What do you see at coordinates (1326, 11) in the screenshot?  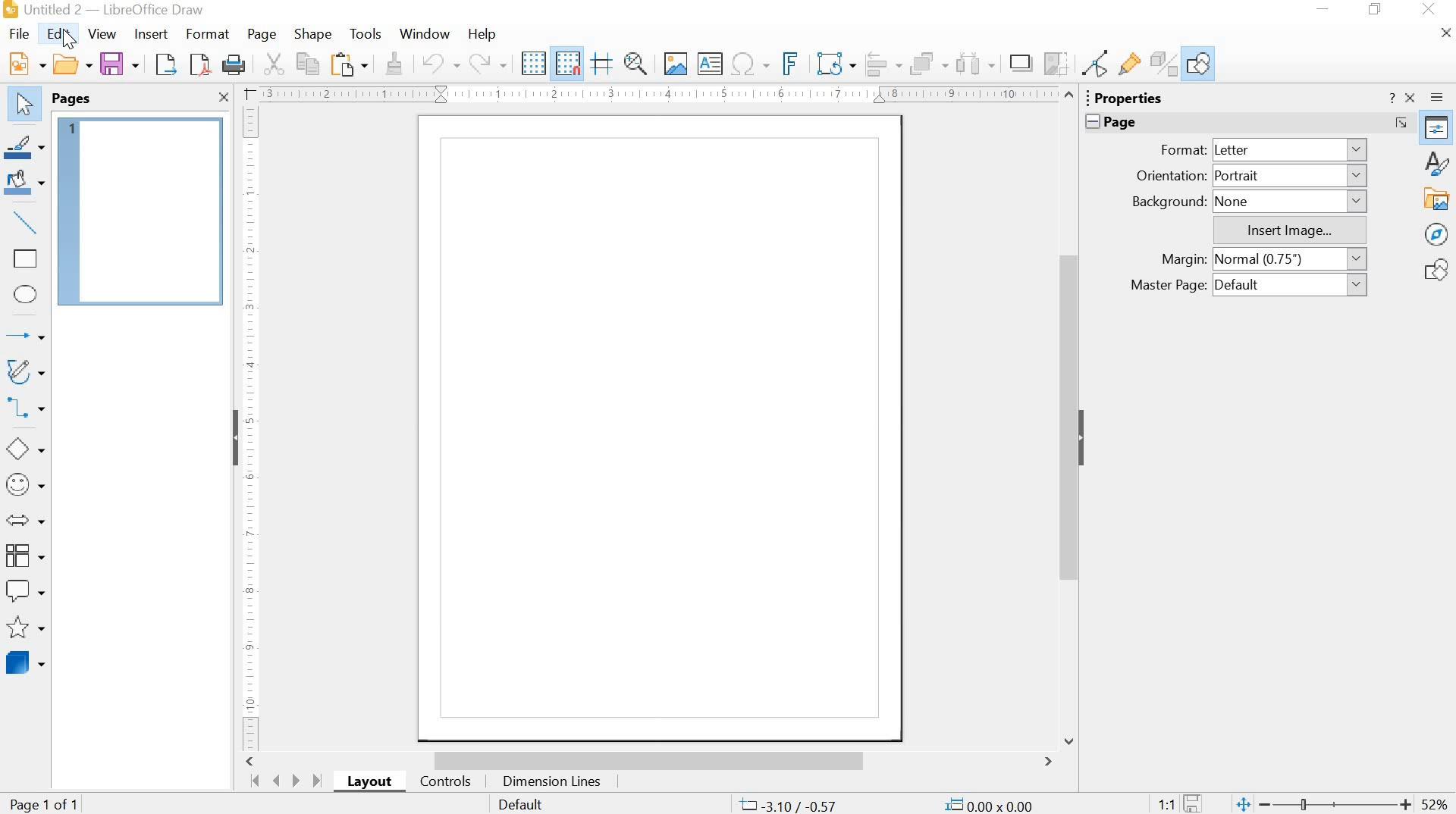 I see `minimize` at bounding box center [1326, 11].